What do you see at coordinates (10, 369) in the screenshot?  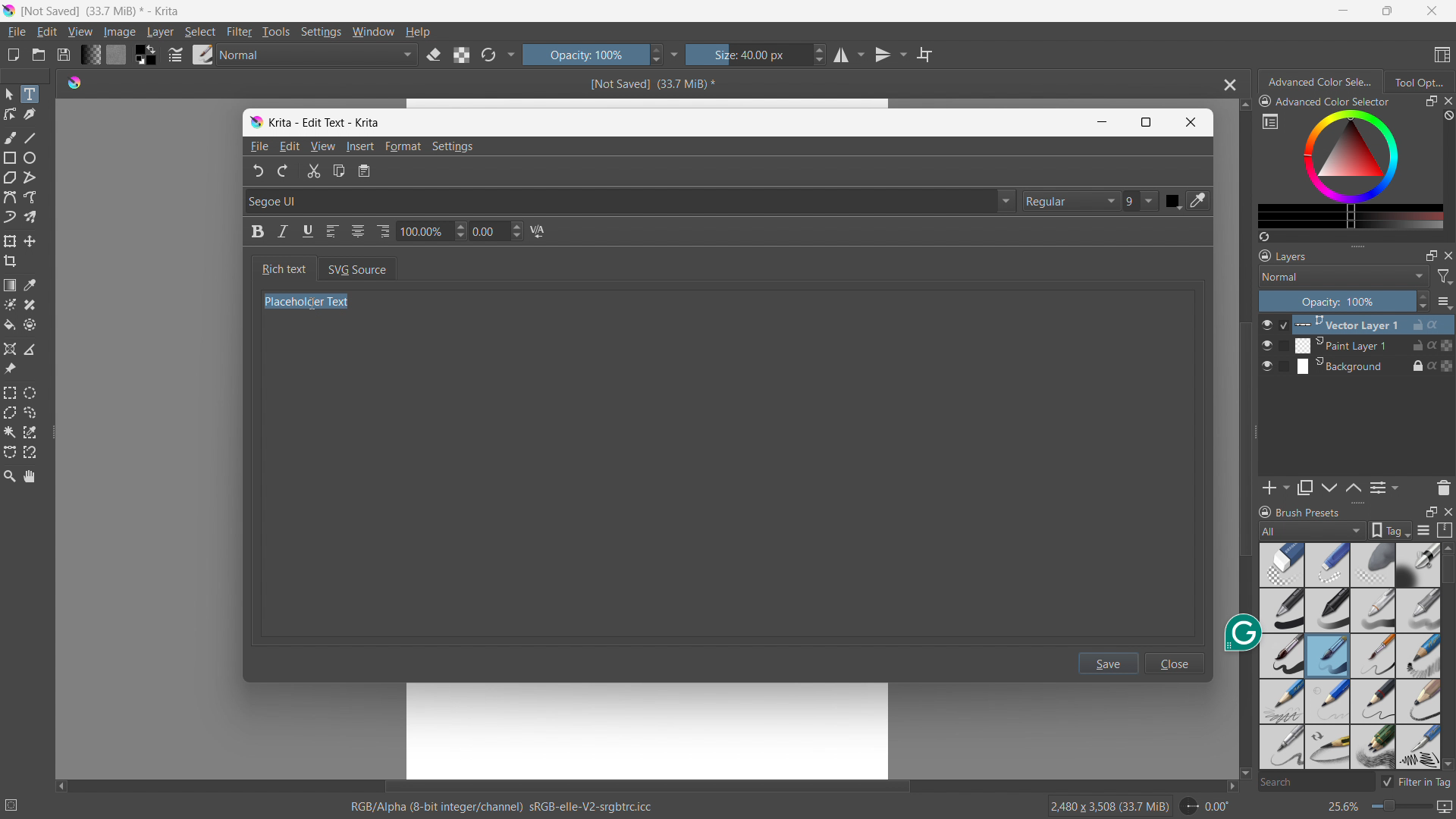 I see `reference images tool` at bounding box center [10, 369].